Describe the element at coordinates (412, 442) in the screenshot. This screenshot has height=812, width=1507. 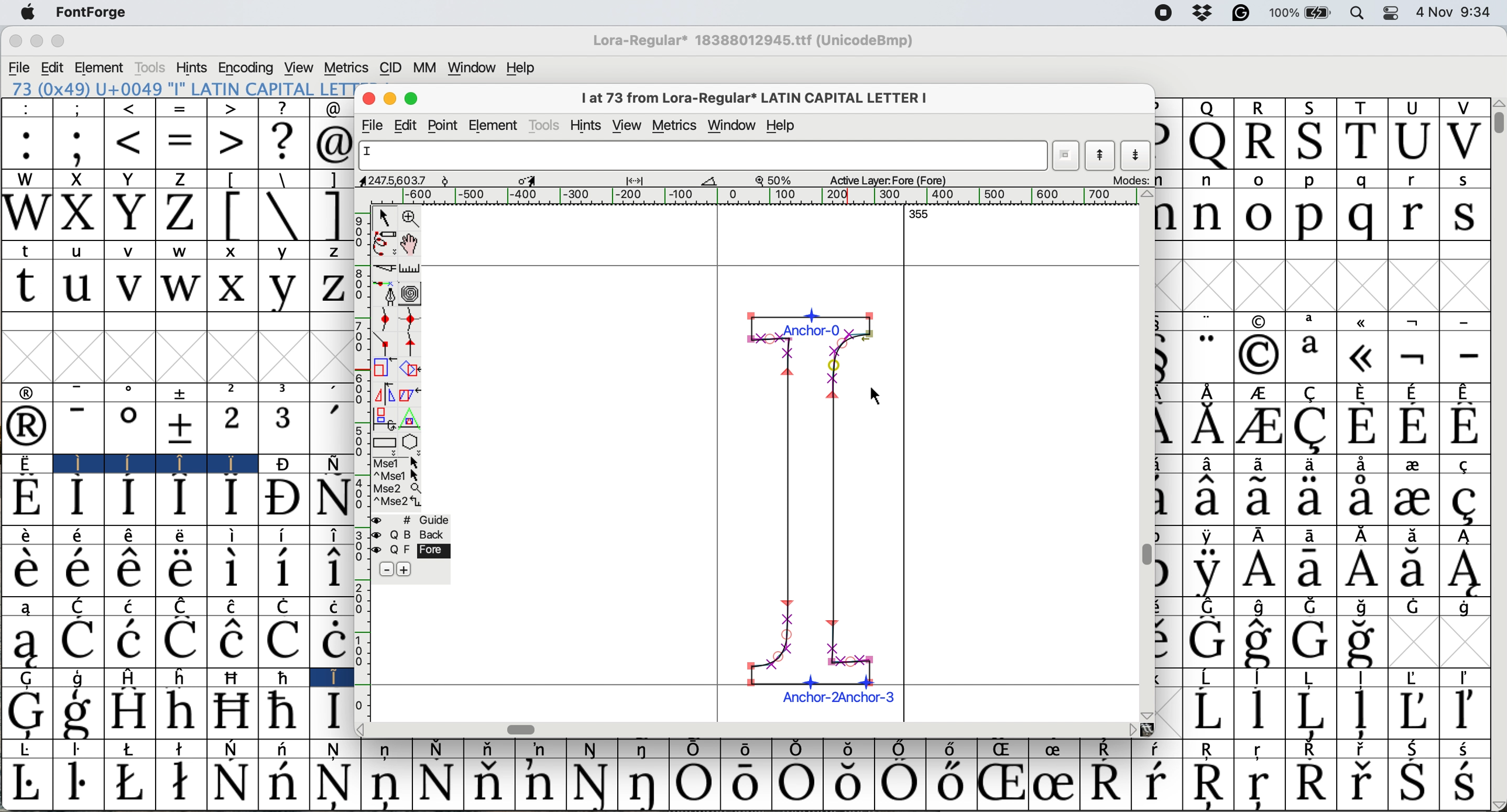
I see `stars and polygons` at that location.